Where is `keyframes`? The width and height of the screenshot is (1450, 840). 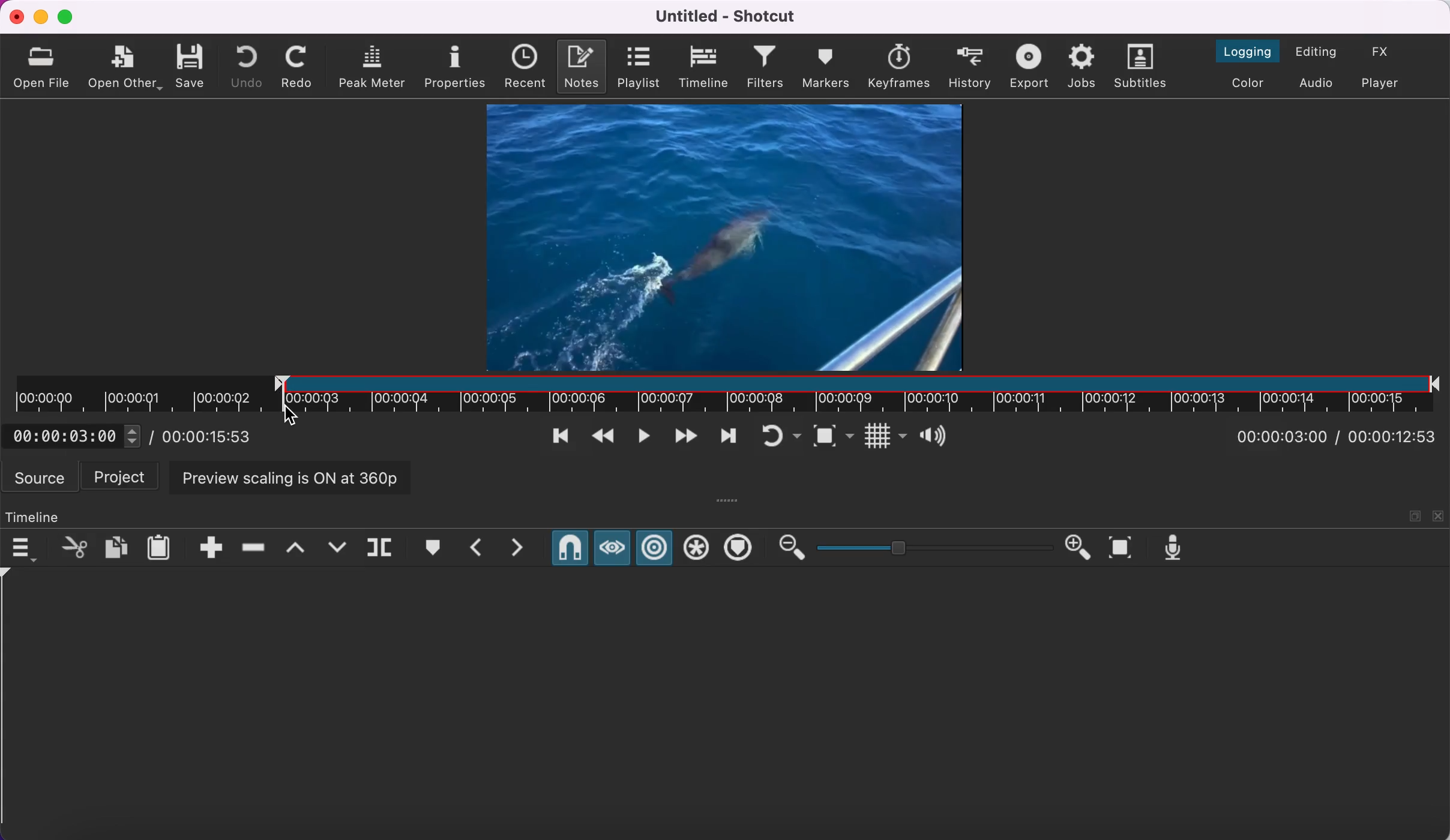
keyframes is located at coordinates (901, 65).